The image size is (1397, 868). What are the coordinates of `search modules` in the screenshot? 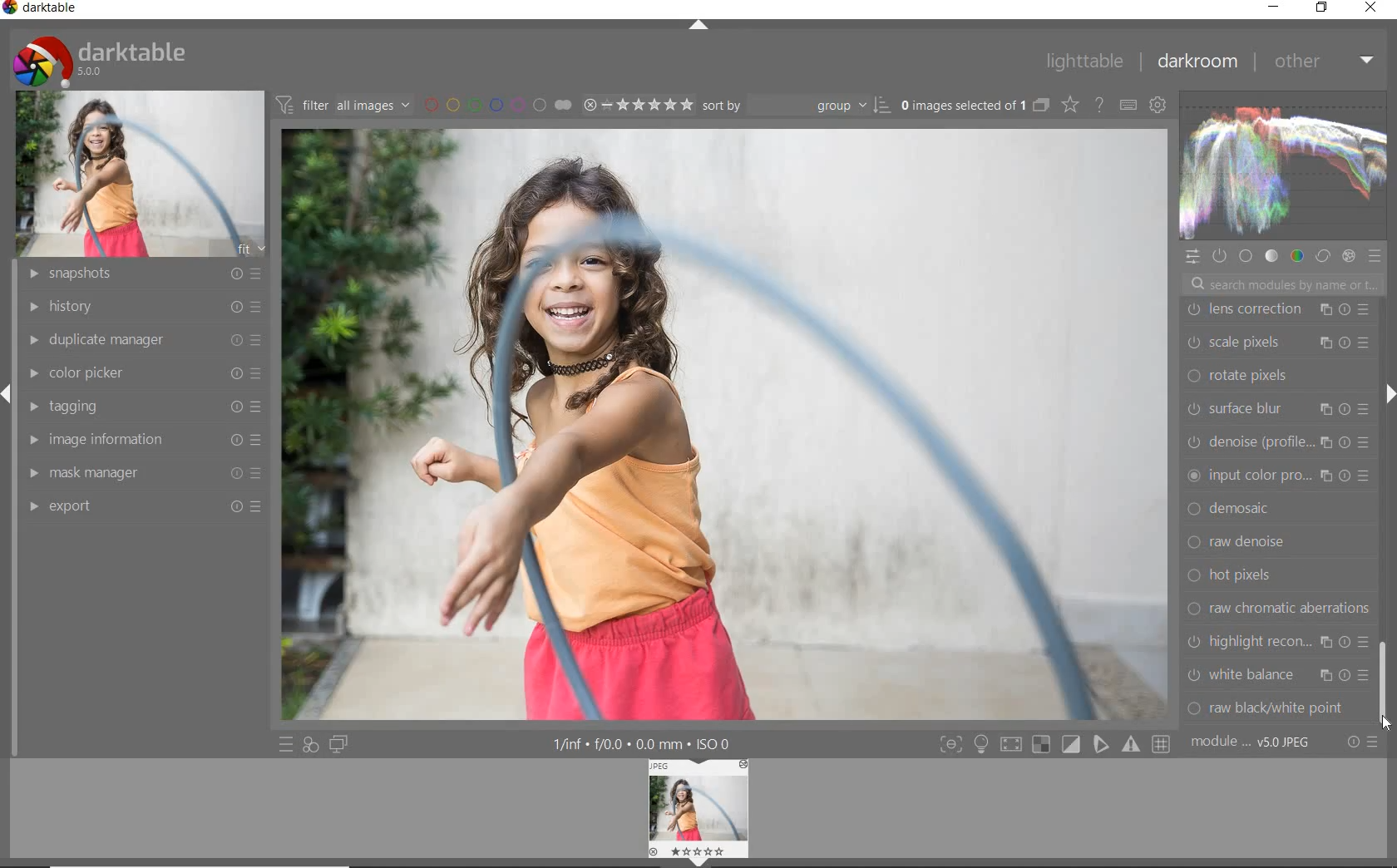 It's located at (1281, 286).